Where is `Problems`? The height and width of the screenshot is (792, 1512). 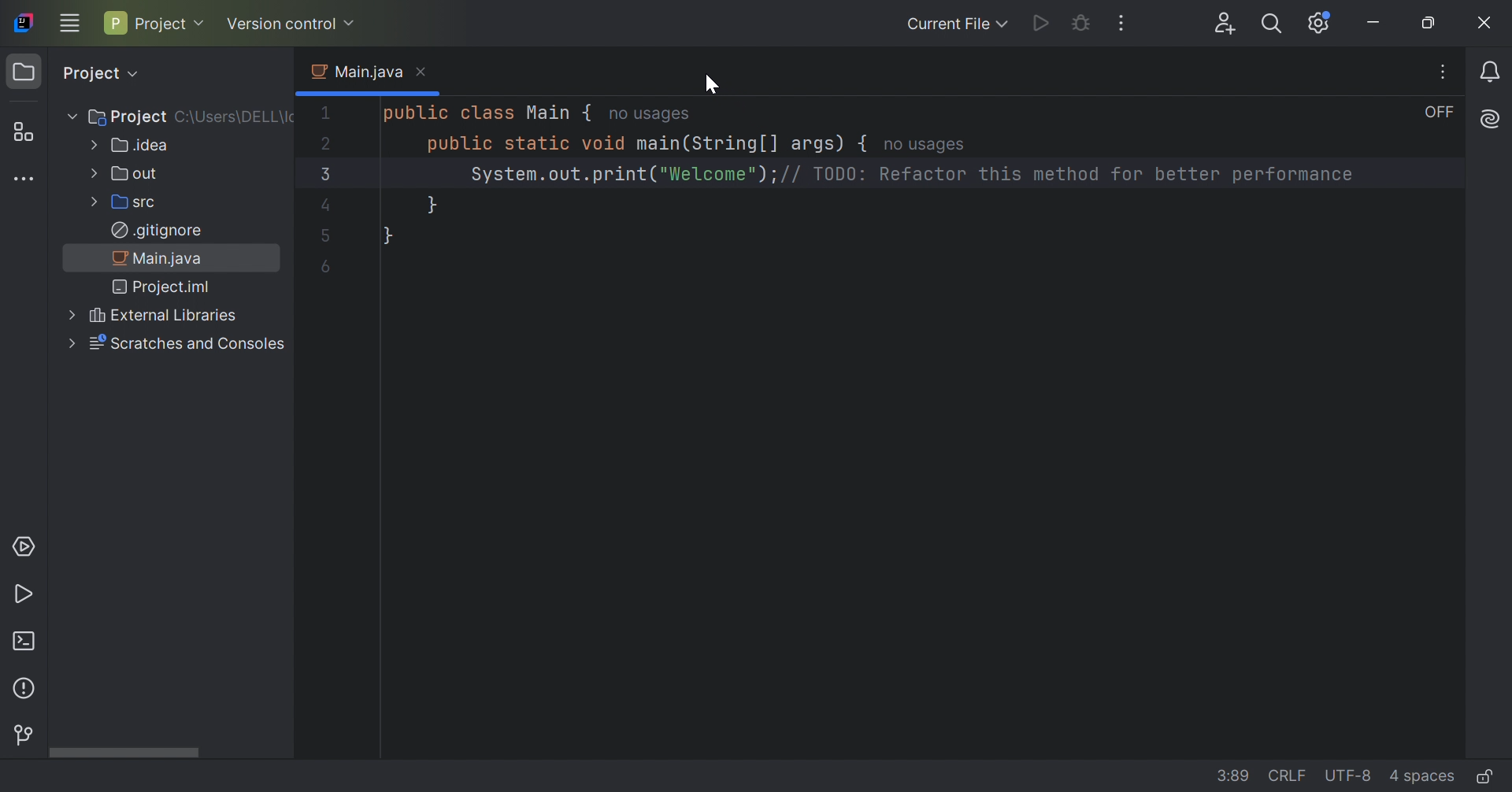 Problems is located at coordinates (26, 691).